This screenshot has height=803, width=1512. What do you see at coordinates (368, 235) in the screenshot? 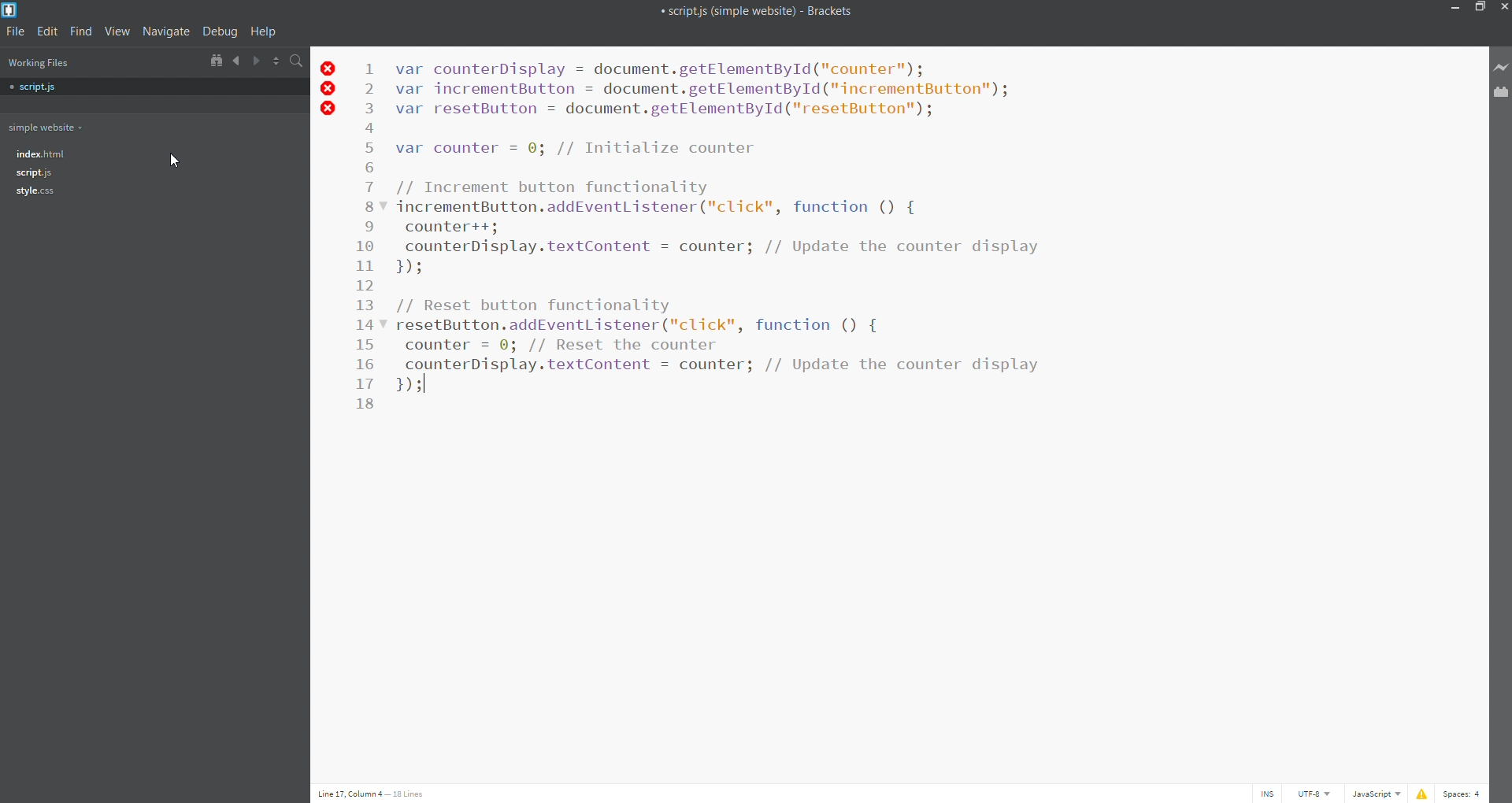
I see `line number` at bounding box center [368, 235].